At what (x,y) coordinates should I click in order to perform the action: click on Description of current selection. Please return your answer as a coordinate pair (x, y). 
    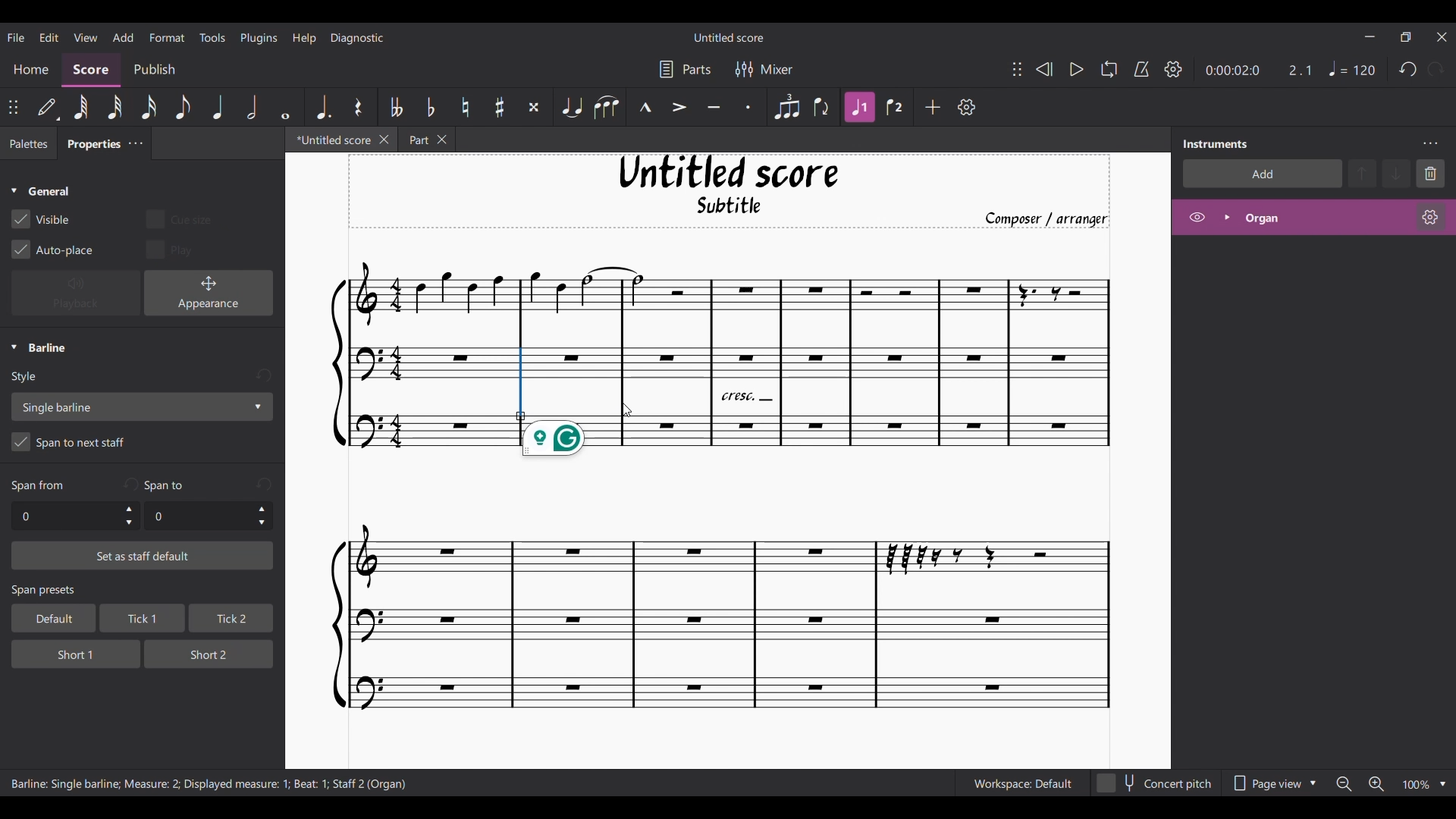
    Looking at the image, I should click on (209, 785).